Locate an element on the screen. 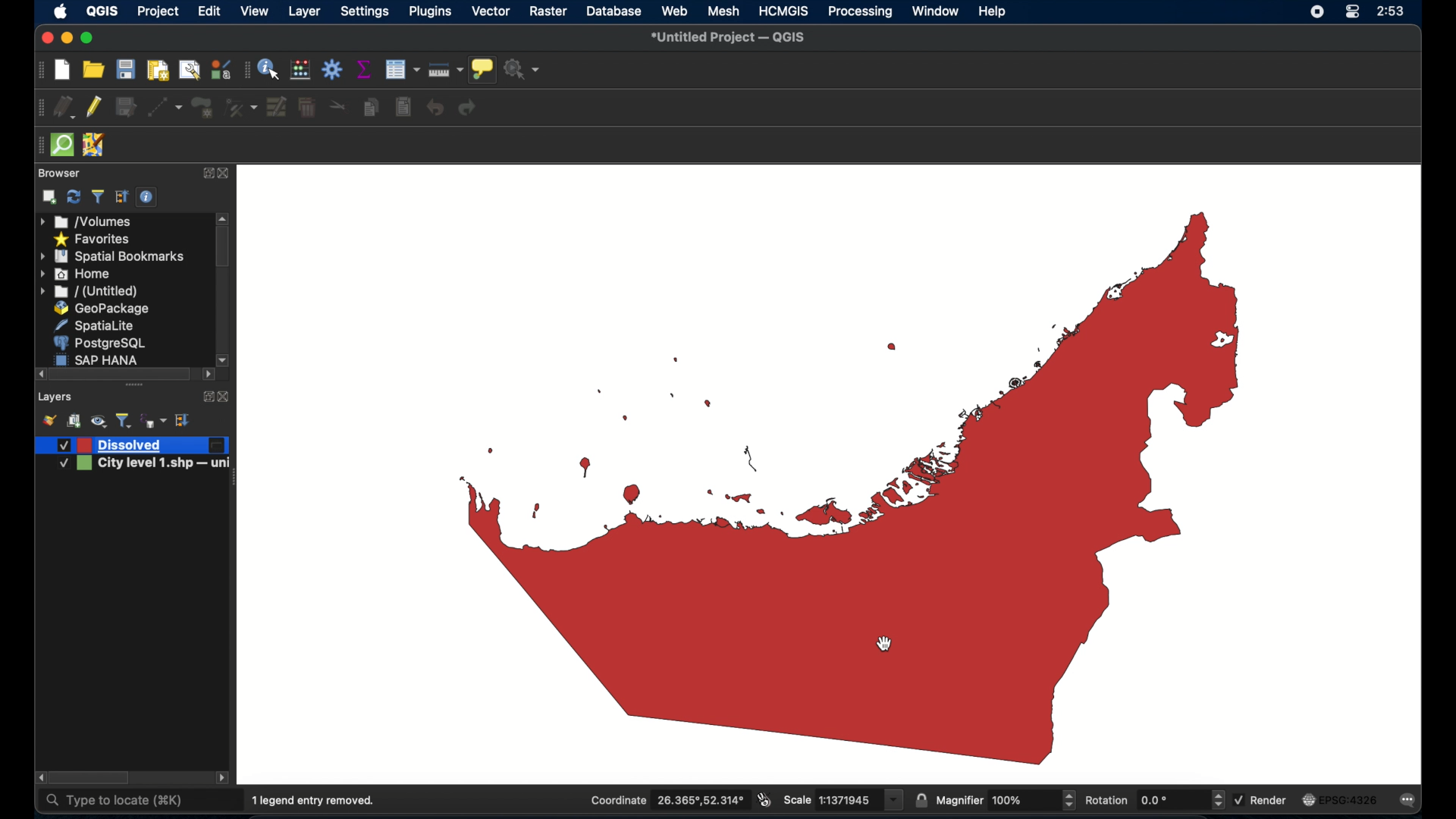 The height and width of the screenshot is (819, 1456). postgresql is located at coordinates (102, 343).